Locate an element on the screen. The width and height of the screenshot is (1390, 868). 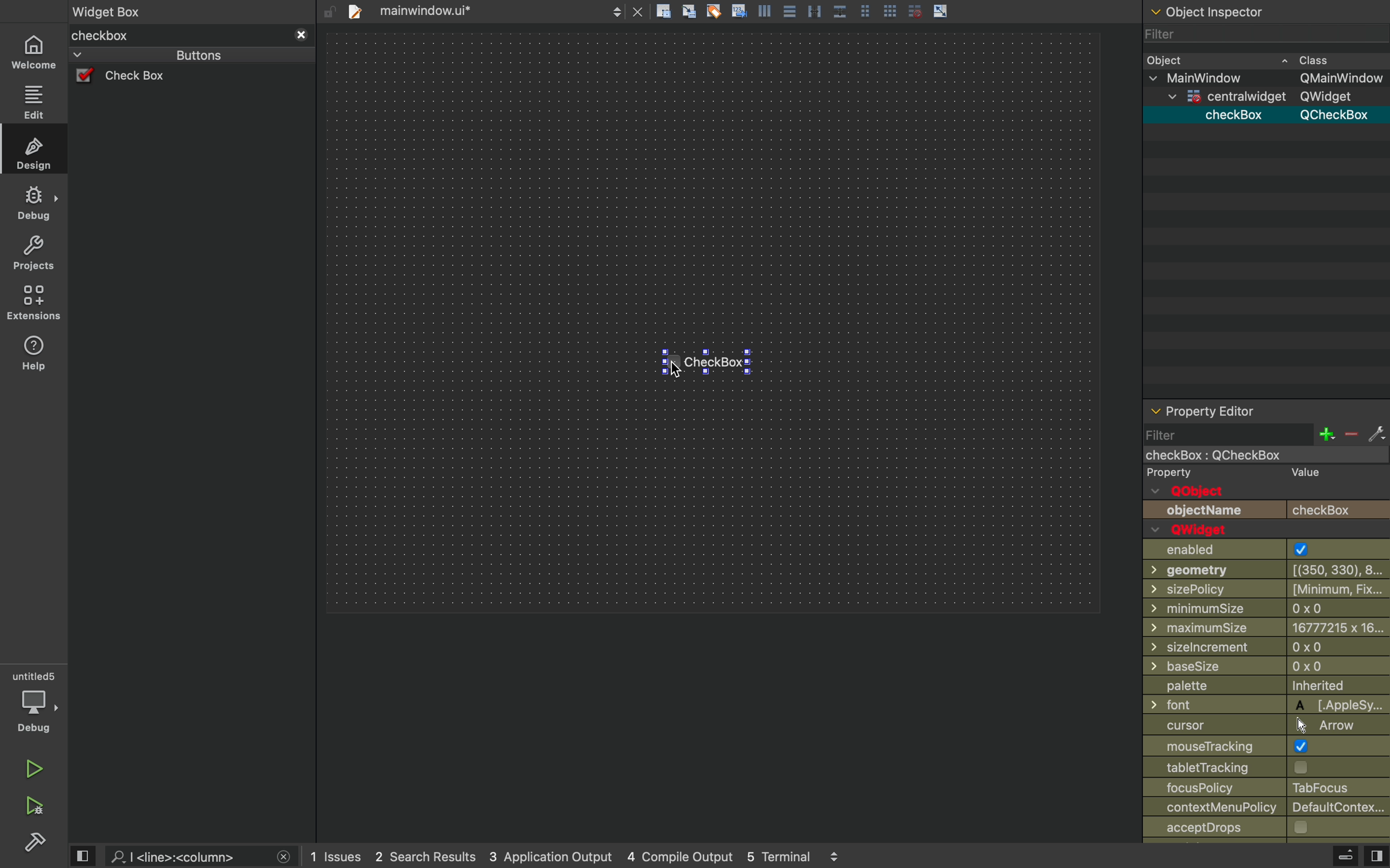
disable grid snap is located at coordinates (913, 10).